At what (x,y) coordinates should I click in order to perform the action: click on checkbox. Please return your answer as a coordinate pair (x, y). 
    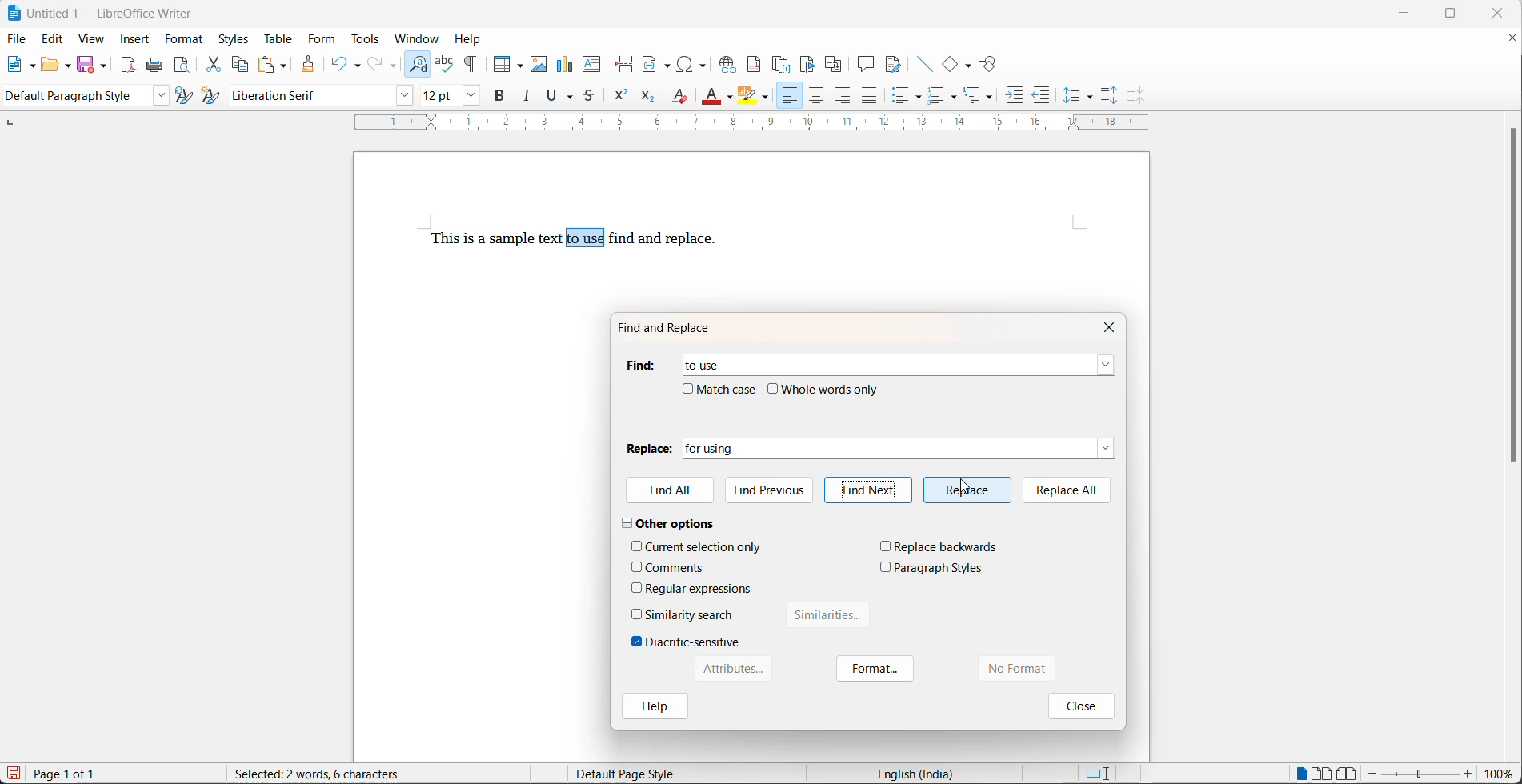
    Looking at the image, I should click on (637, 587).